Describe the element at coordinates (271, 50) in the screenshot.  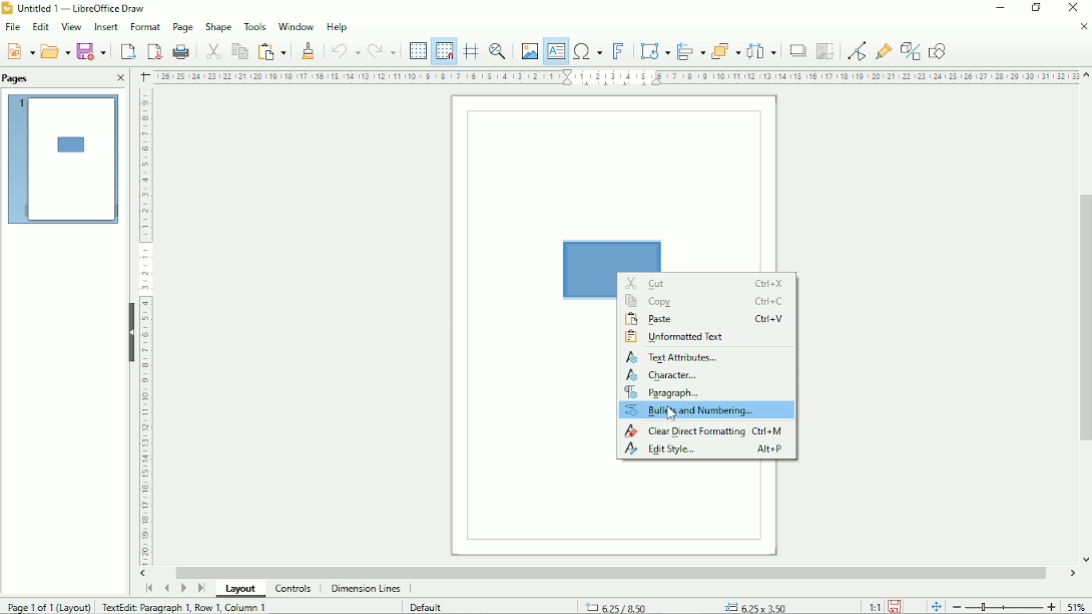
I see `Paste` at that location.